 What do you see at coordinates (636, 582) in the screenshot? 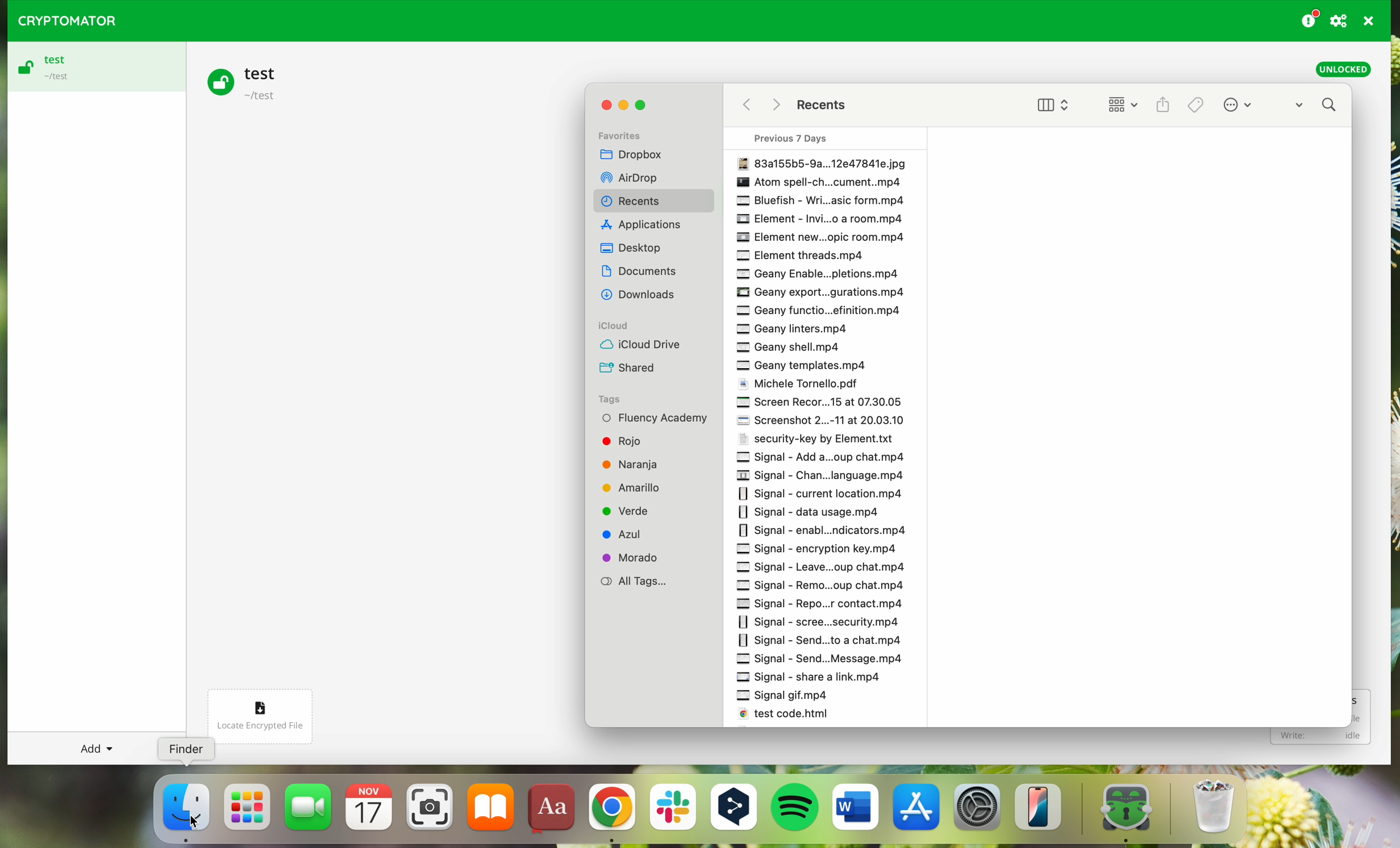
I see `All Tags` at bounding box center [636, 582].